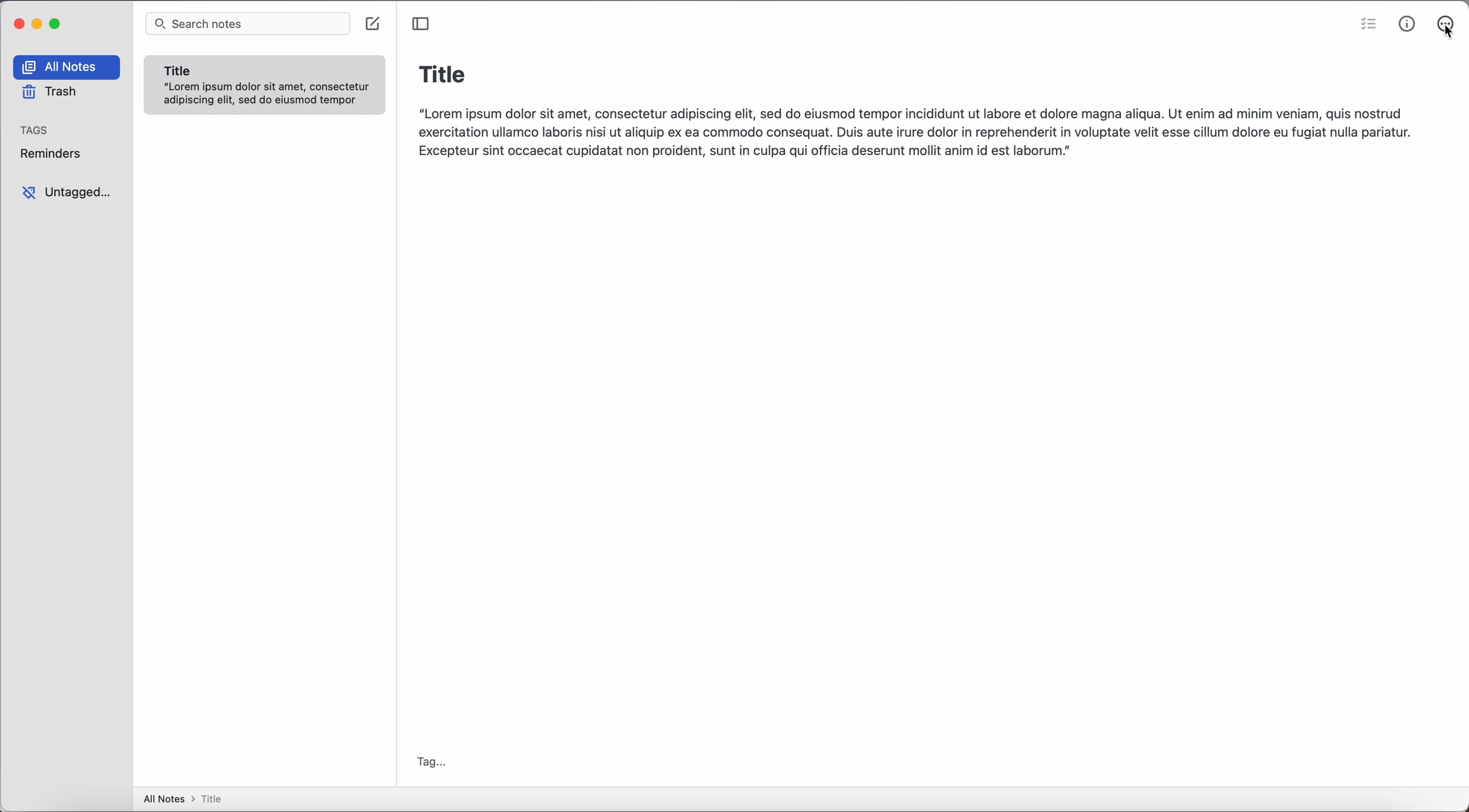 This screenshot has height=812, width=1469. What do you see at coordinates (67, 193) in the screenshot?
I see `untagged` at bounding box center [67, 193].